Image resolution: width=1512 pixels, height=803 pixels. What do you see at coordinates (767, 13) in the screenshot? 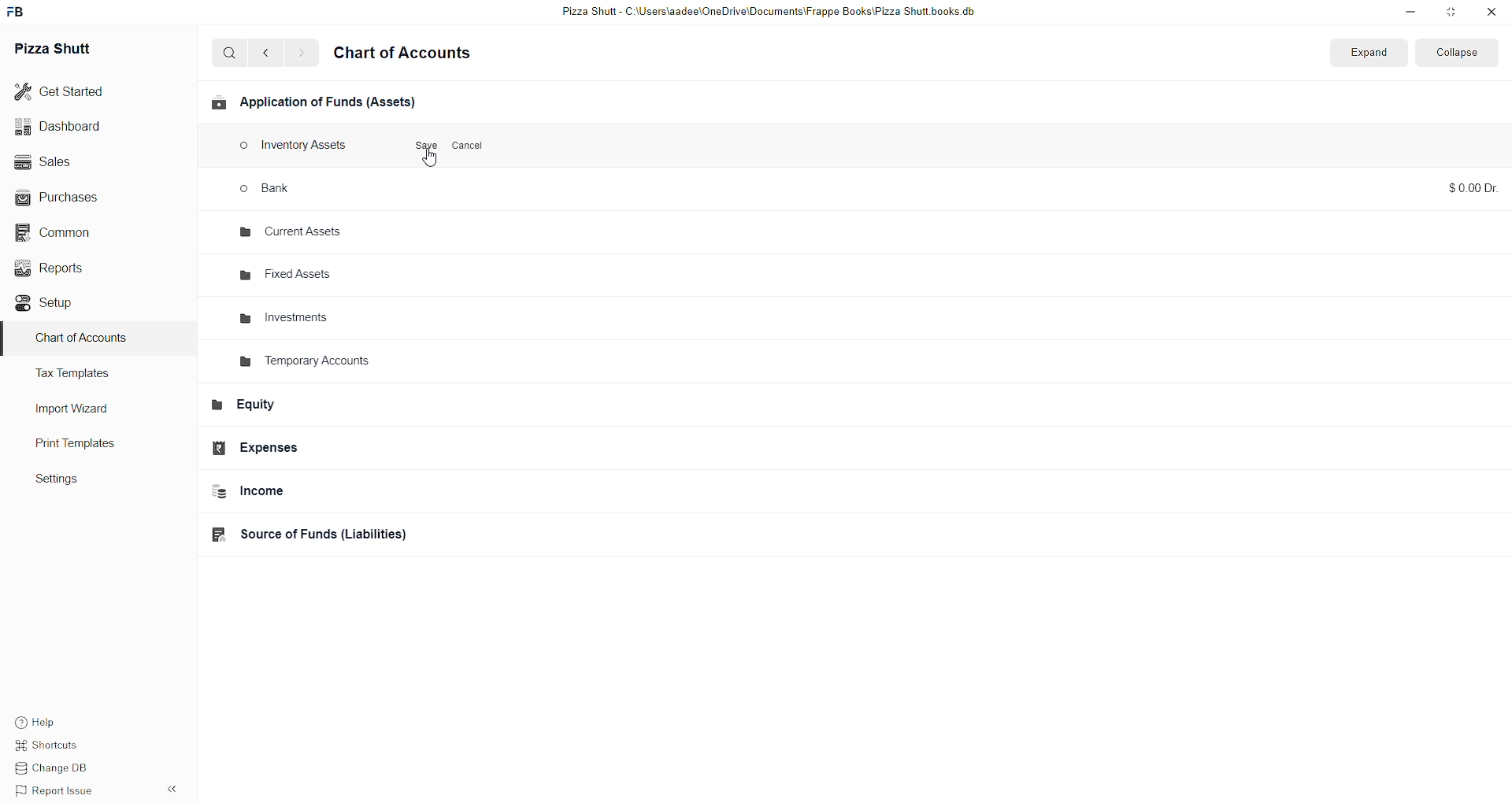
I see `Pizza Shutt - C:\Users\aadee\OneDrive\Documents|\Frappe Books\Pizza Shutt books.db` at bounding box center [767, 13].